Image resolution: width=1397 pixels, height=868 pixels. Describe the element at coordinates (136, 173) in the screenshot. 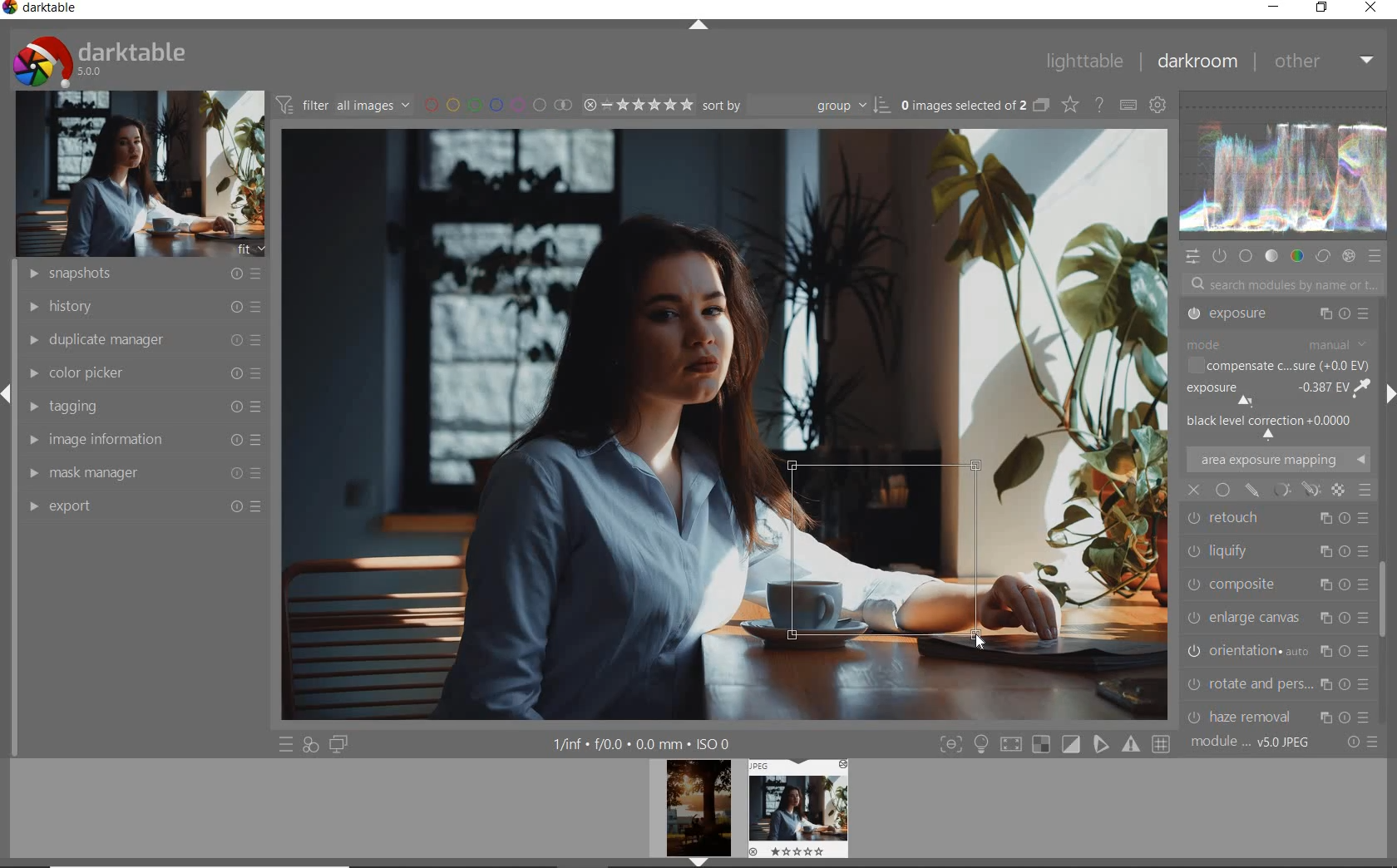

I see `IMAGE` at that location.